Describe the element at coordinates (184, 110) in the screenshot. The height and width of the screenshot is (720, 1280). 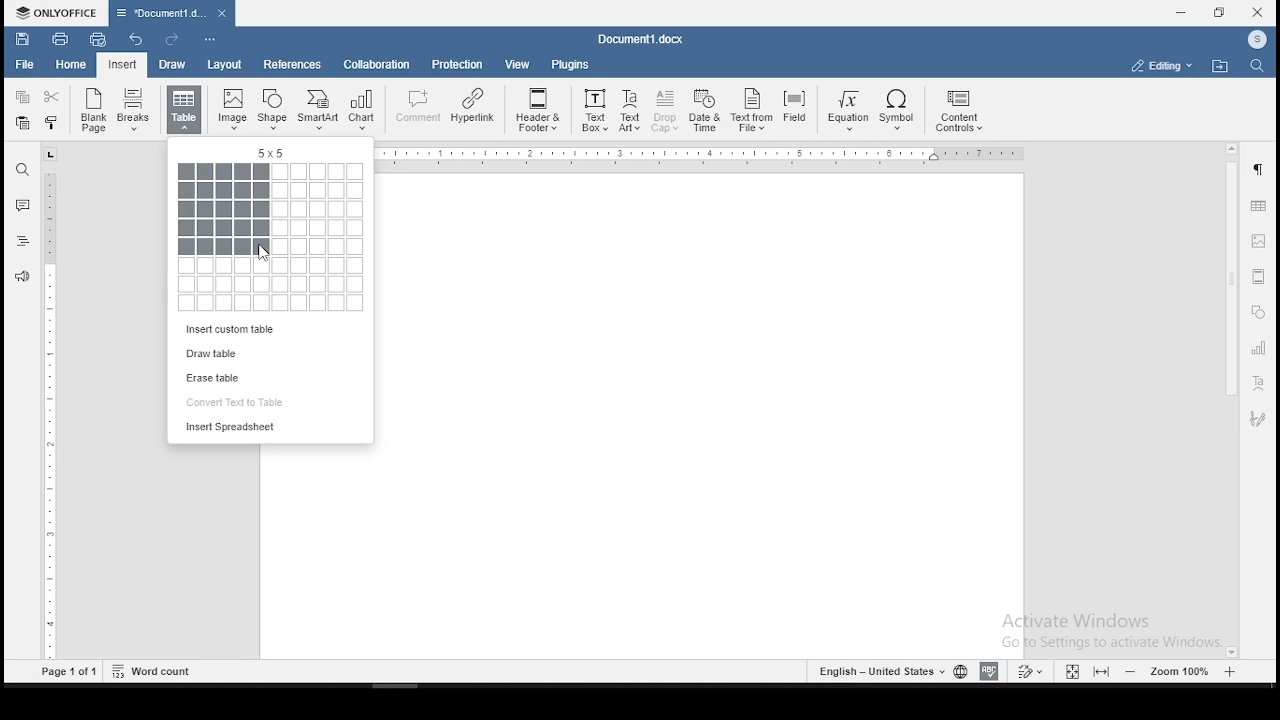
I see `insert a table` at that location.